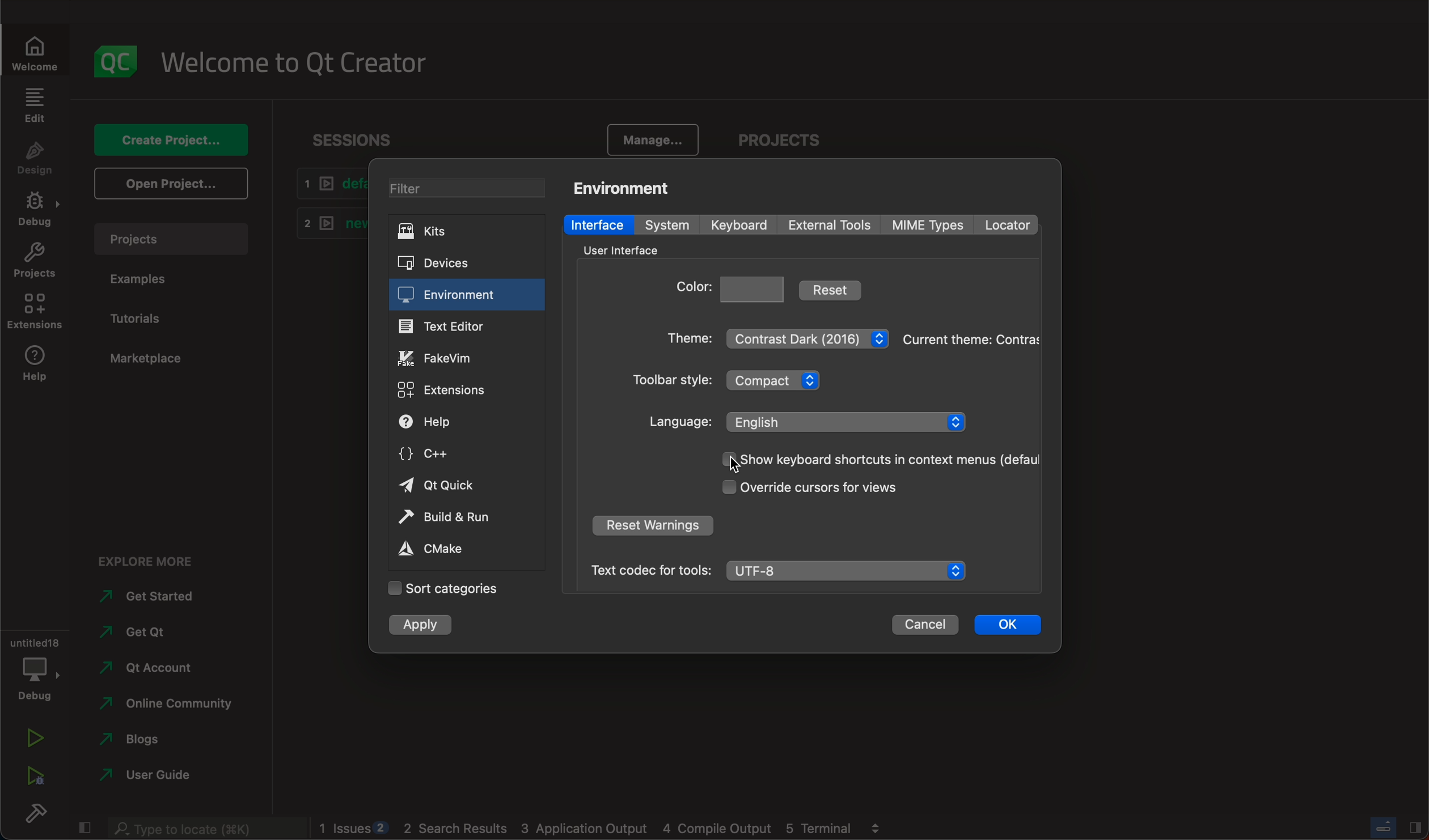 The image size is (1429, 840). I want to click on kits, so click(465, 233).